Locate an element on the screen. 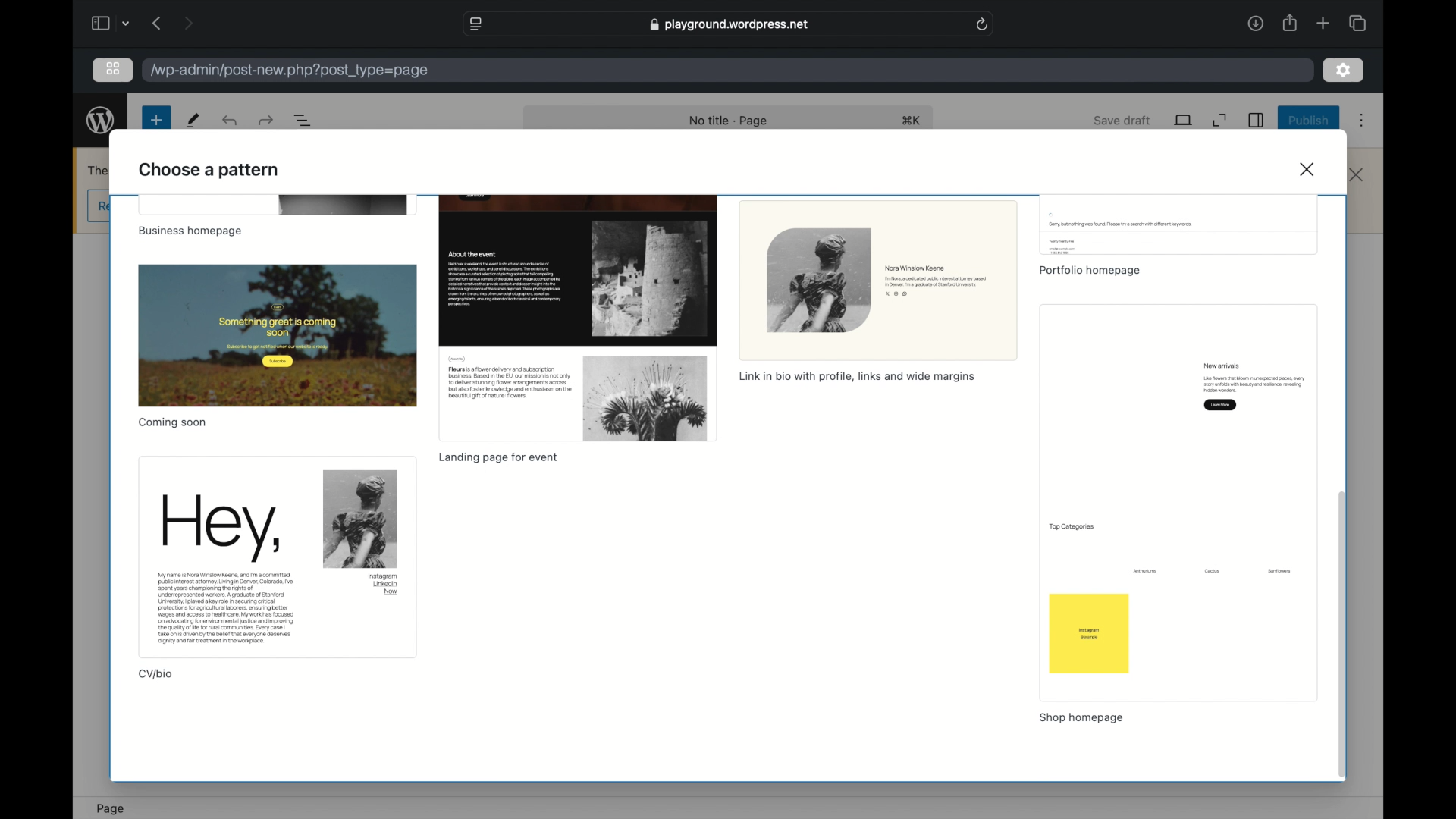 The height and width of the screenshot is (819, 1456). coming soon is located at coordinates (172, 422).